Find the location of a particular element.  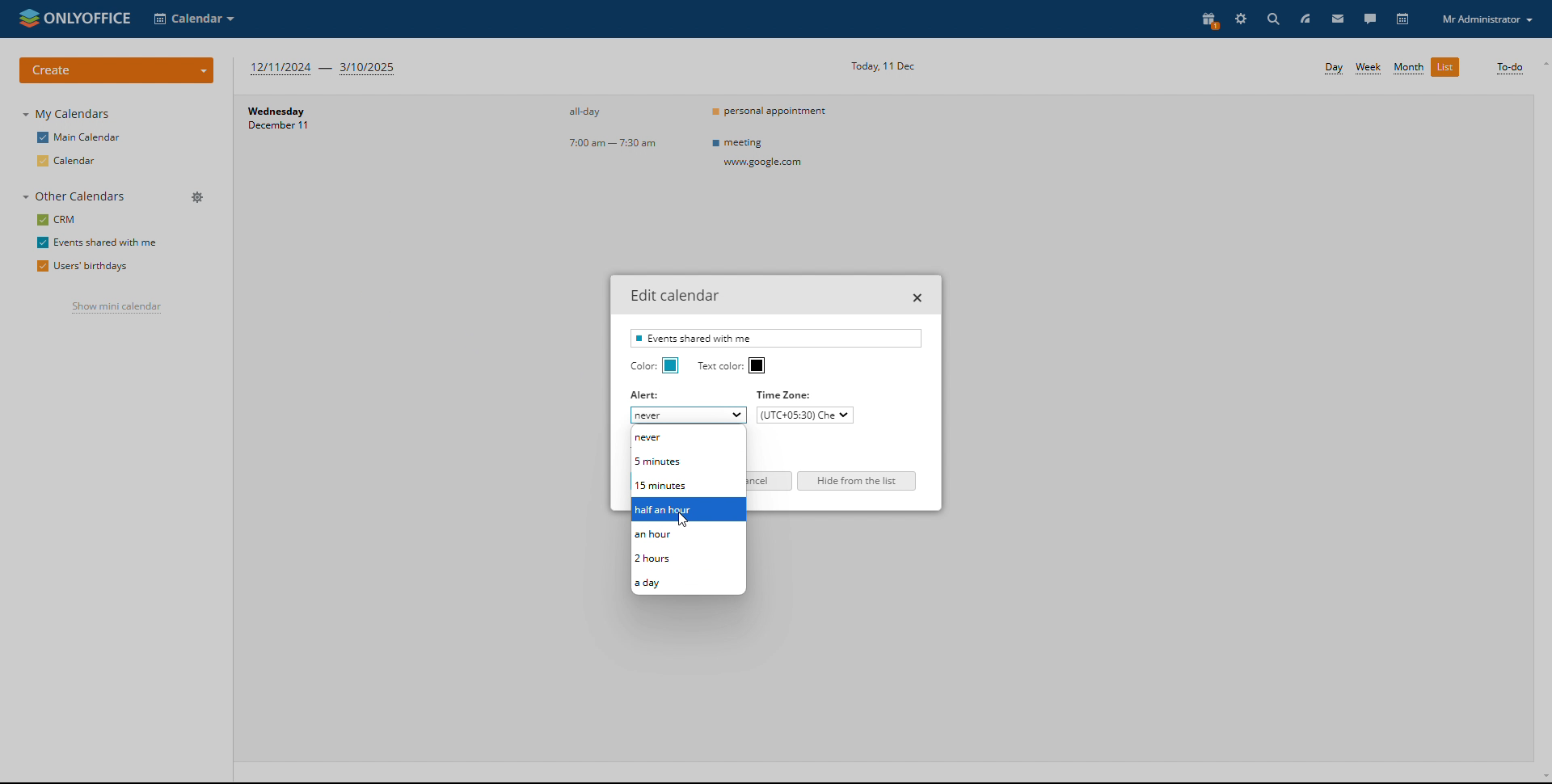

edit calendar is located at coordinates (198, 241).